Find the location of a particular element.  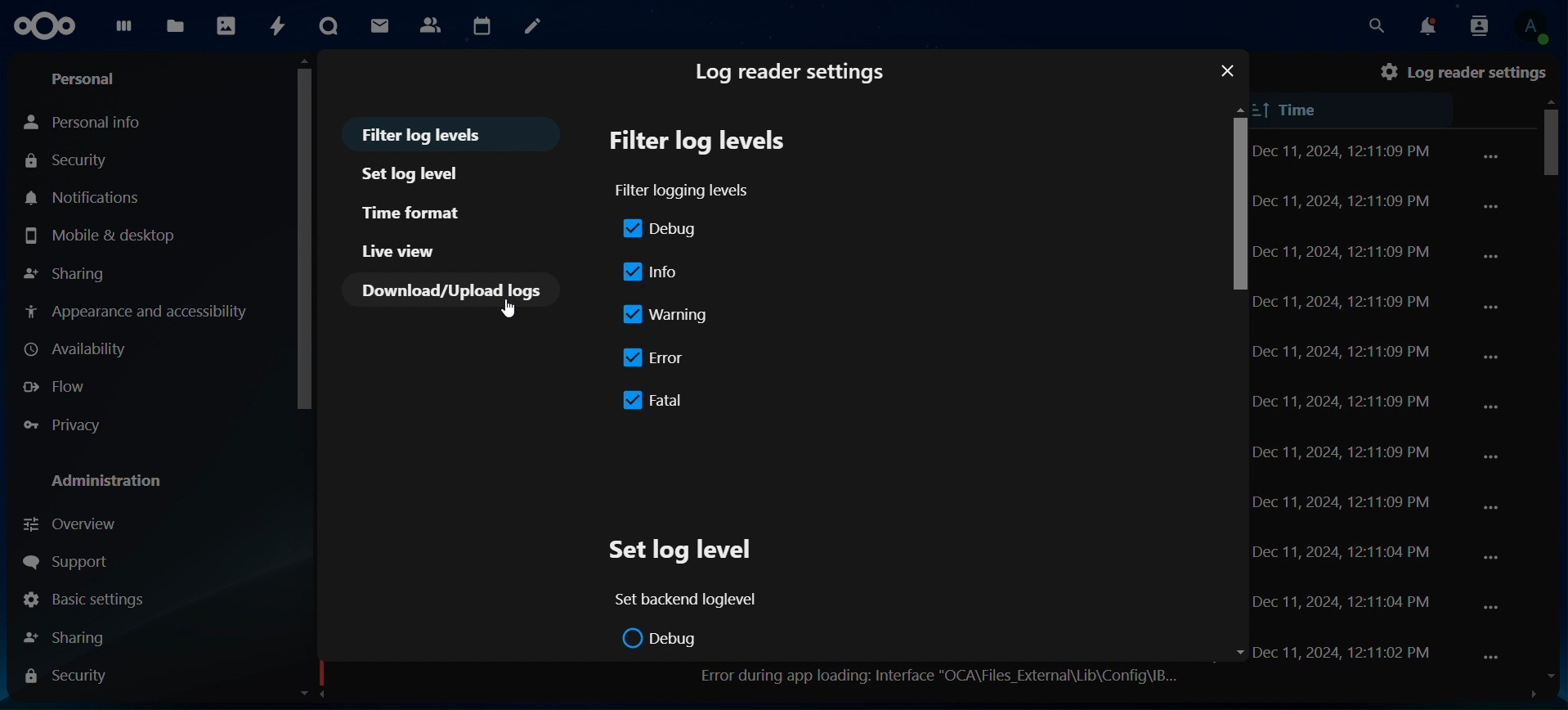

error is located at coordinates (651, 355).